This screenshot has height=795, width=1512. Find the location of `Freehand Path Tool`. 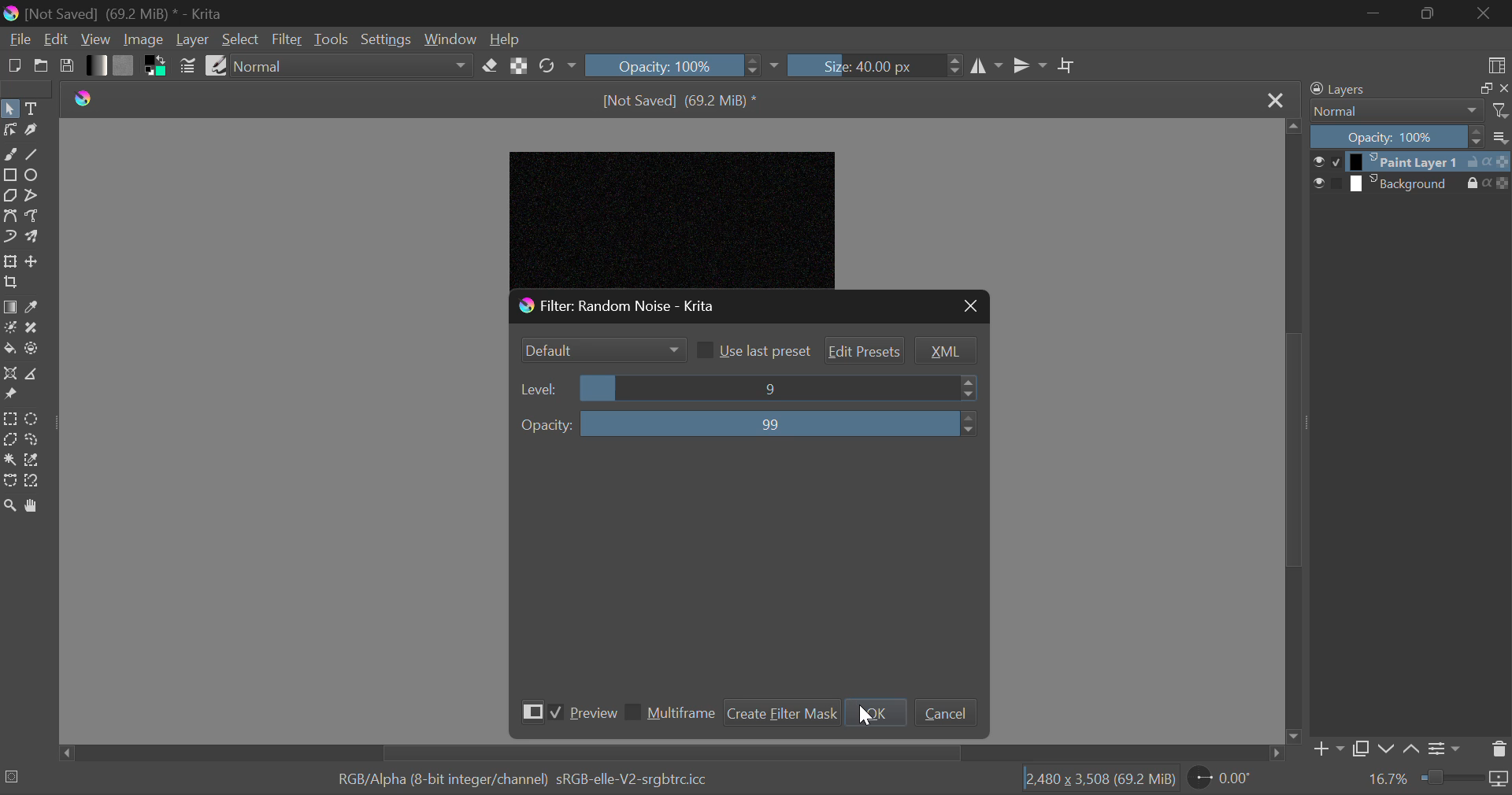

Freehand Path Tool is located at coordinates (32, 217).